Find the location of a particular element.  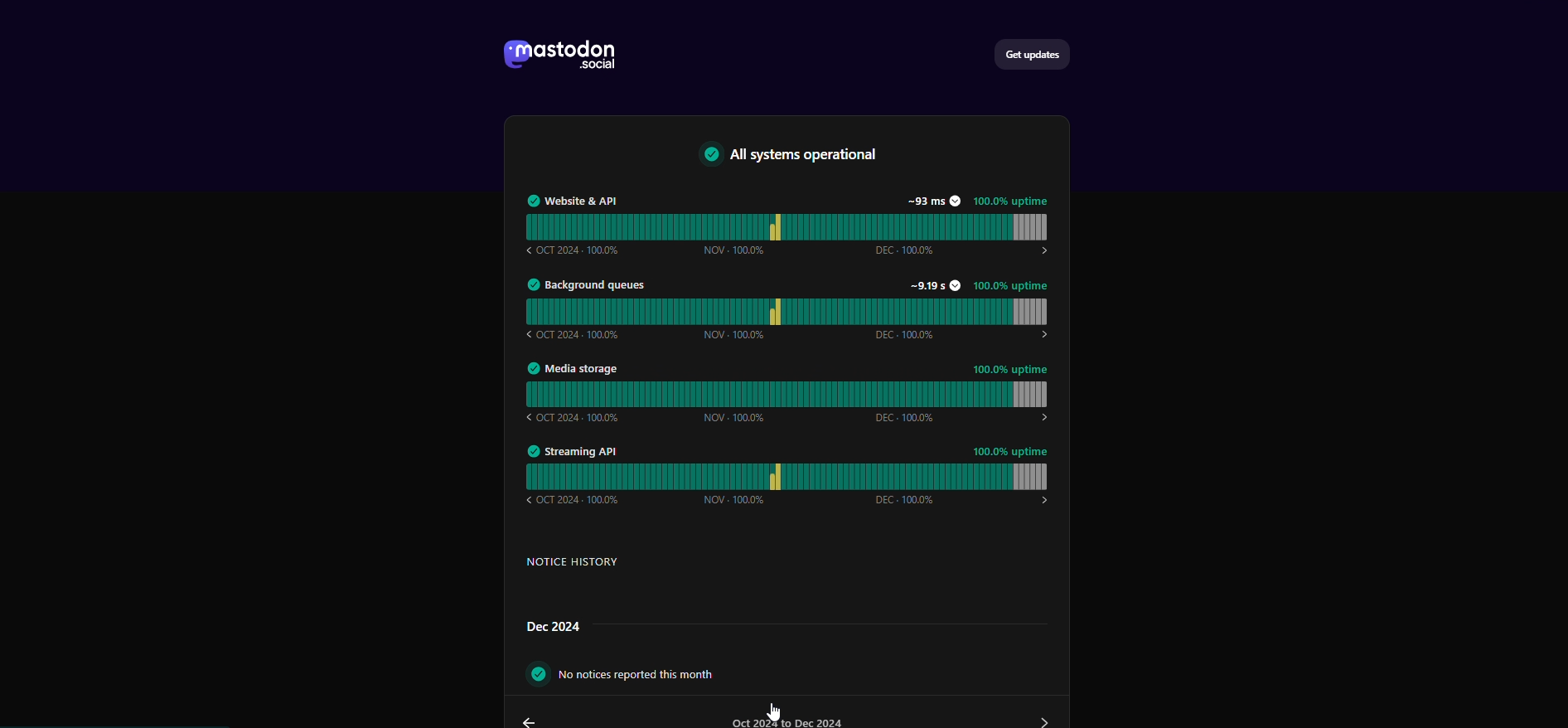

cursor is located at coordinates (769, 713).